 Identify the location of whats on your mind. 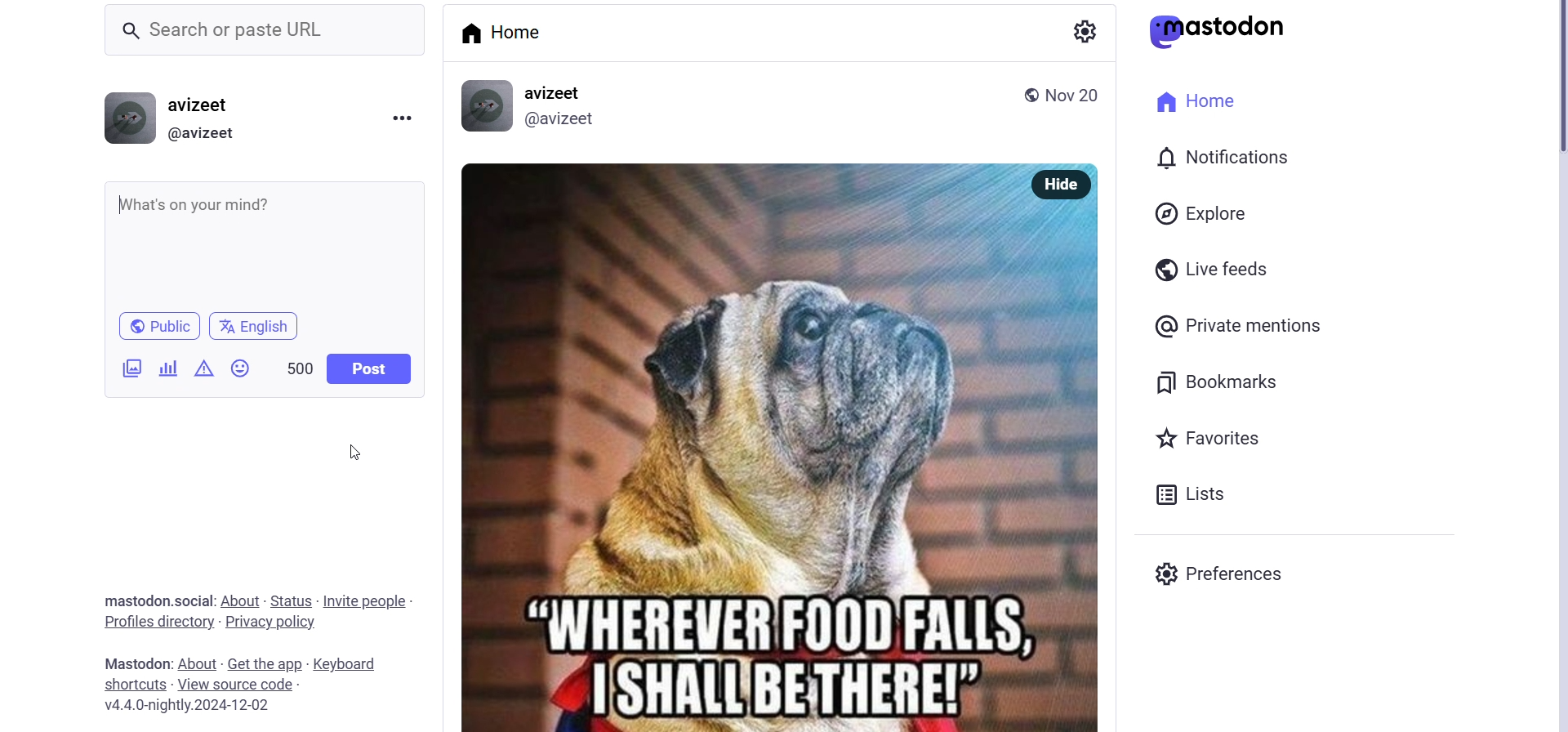
(263, 243).